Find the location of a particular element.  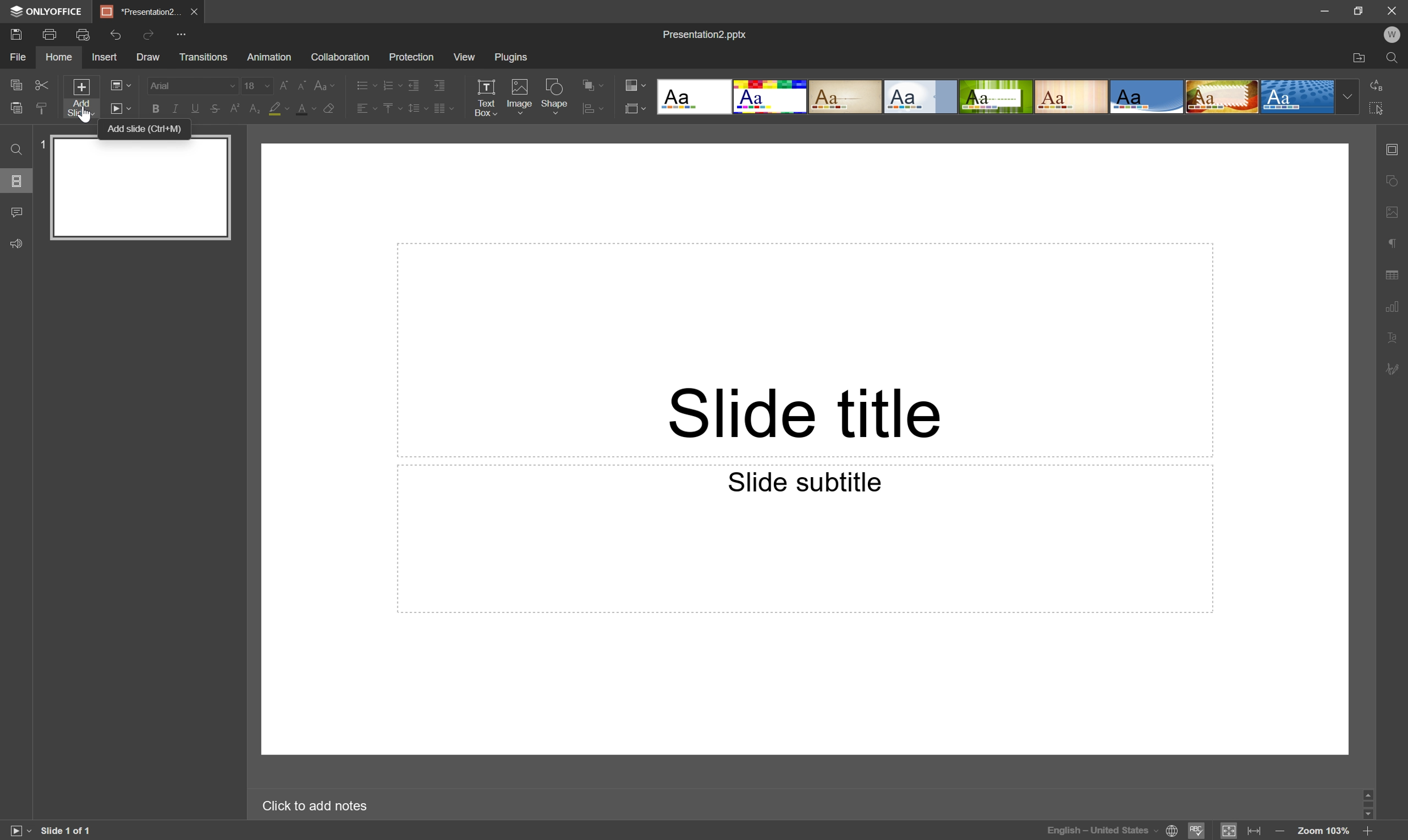

Comments is located at coordinates (16, 212).